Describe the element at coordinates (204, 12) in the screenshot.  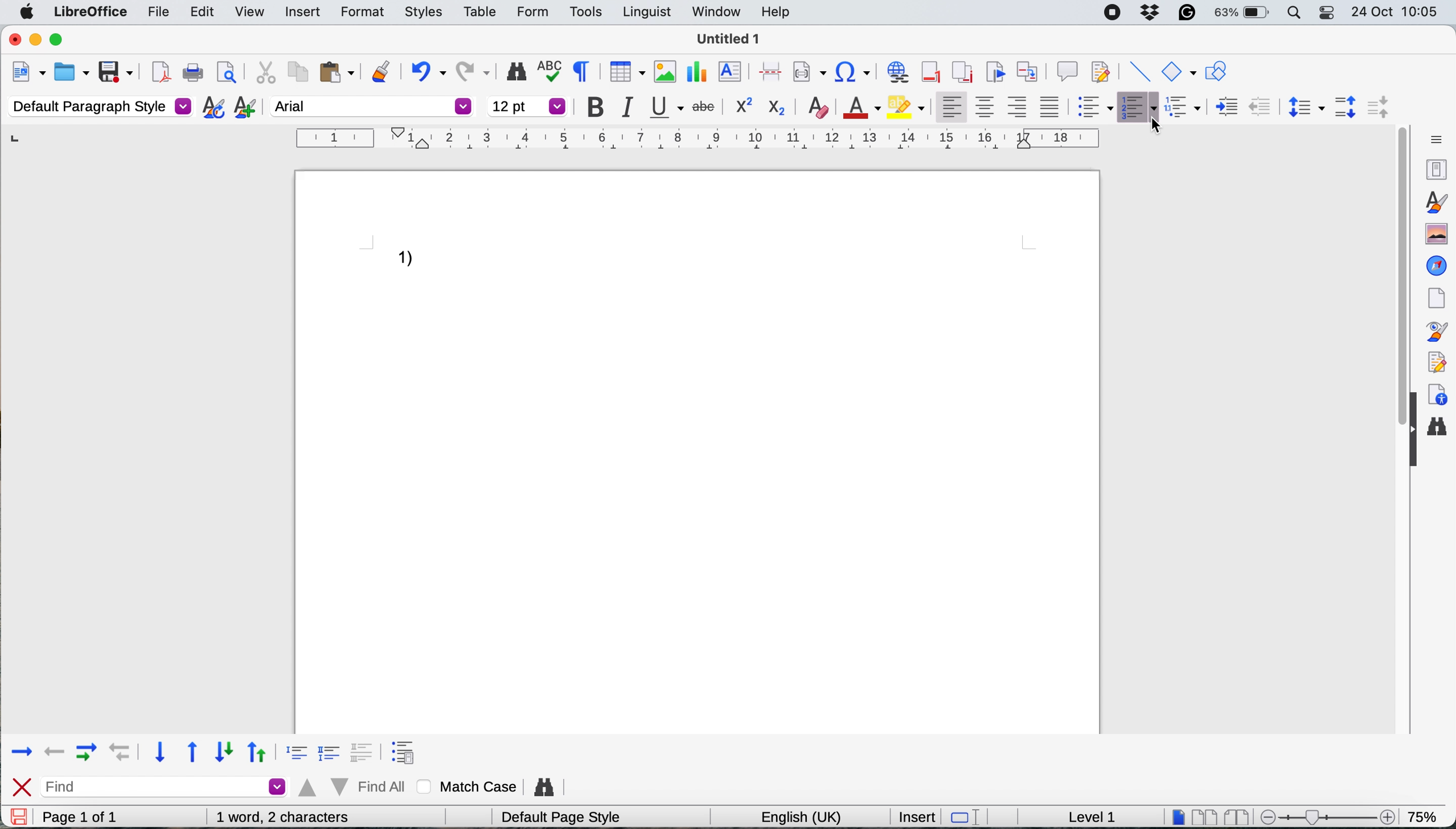
I see `edit` at that location.